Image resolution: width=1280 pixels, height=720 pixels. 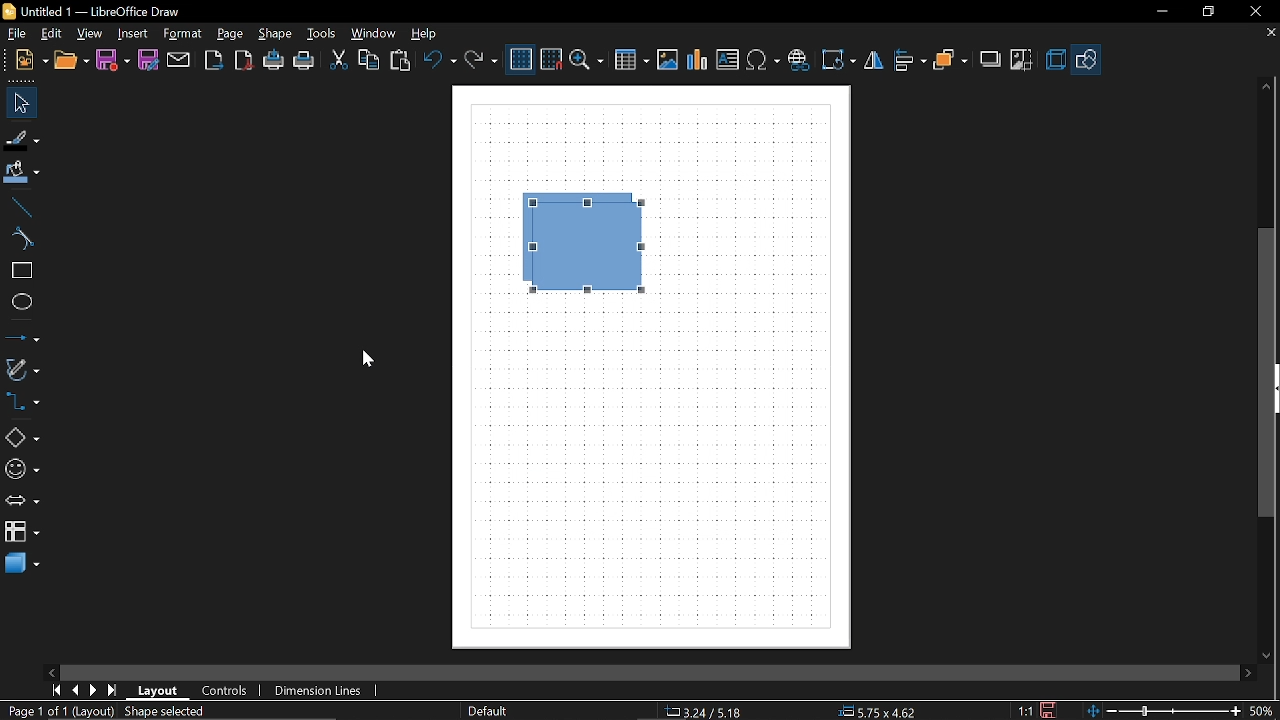 What do you see at coordinates (132, 34) in the screenshot?
I see `Insert` at bounding box center [132, 34].